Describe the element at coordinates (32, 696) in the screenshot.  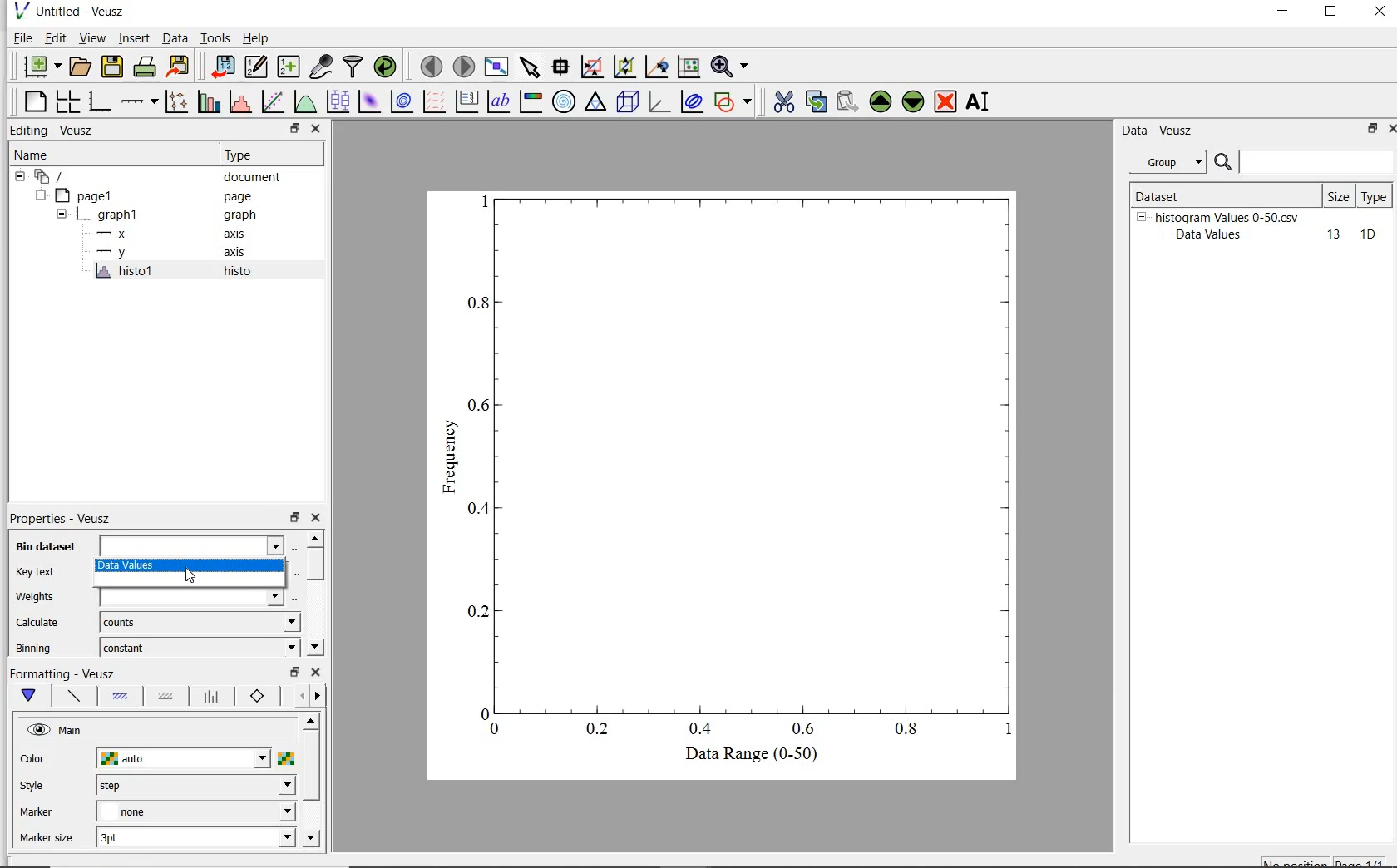
I see `main formatting` at that location.